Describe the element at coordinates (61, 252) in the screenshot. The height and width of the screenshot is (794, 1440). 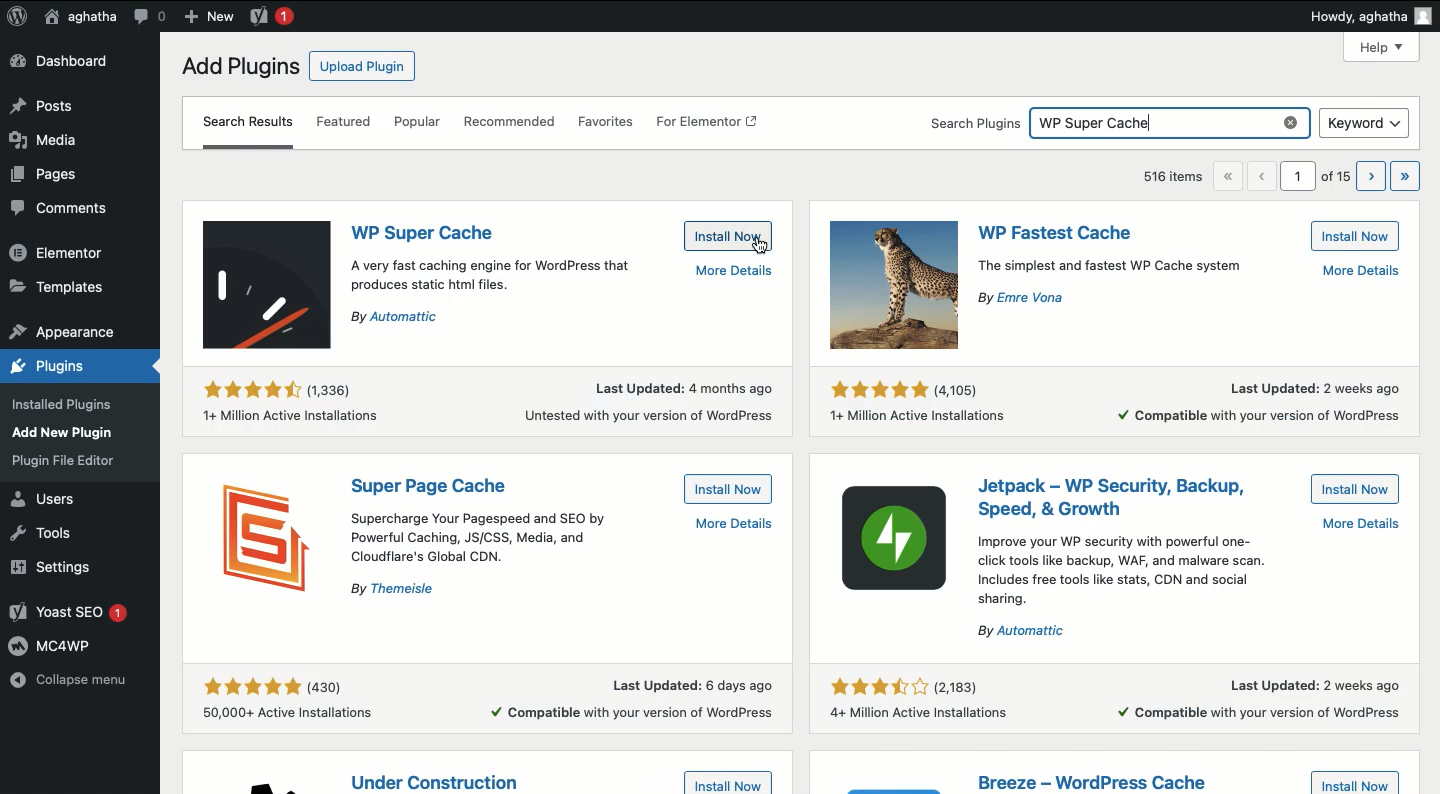
I see `Elementor` at that location.